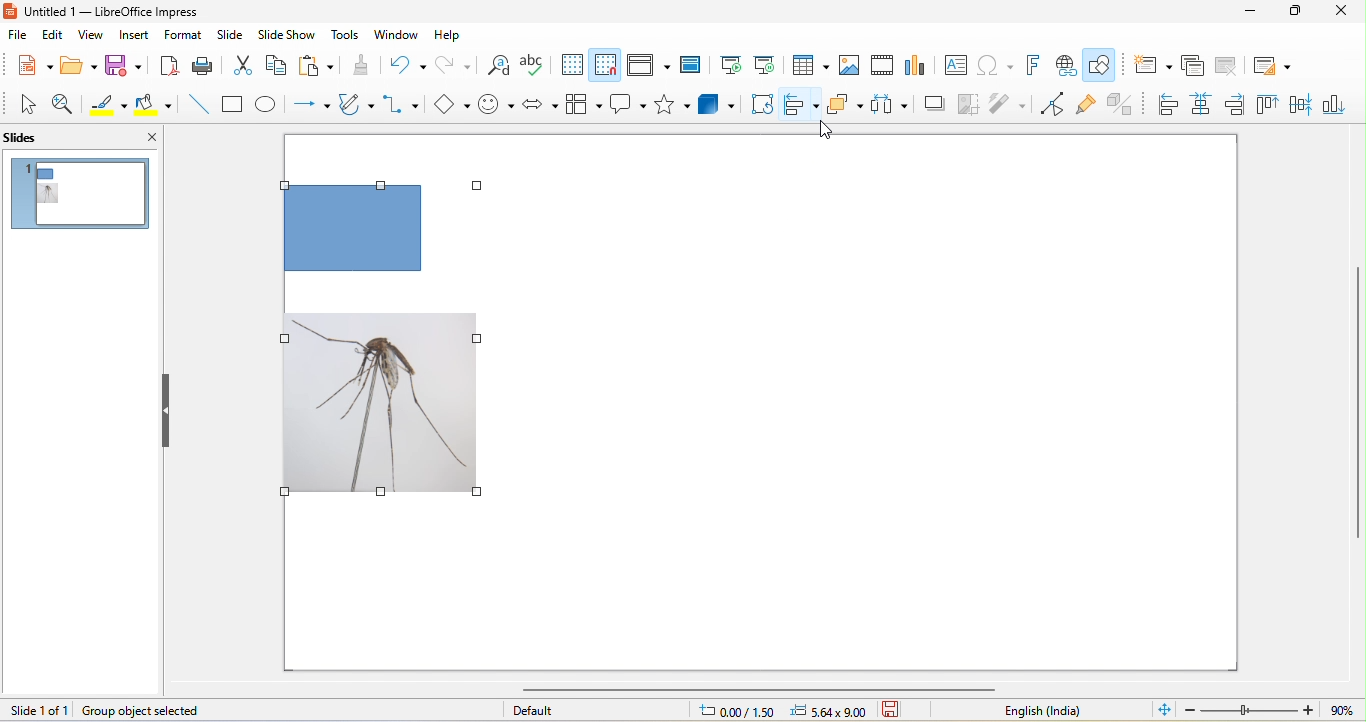 The width and height of the screenshot is (1366, 722). I want to click on connectors, so click(402, 106).